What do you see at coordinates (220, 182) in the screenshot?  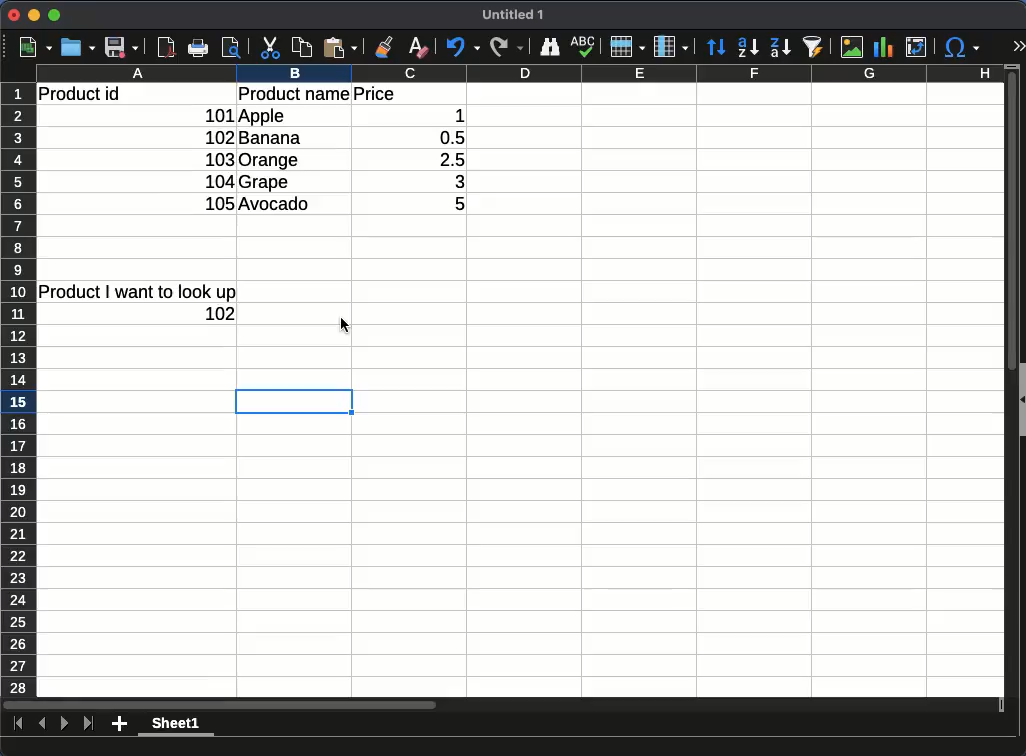 I see `104` at bounding box center [220, 182].